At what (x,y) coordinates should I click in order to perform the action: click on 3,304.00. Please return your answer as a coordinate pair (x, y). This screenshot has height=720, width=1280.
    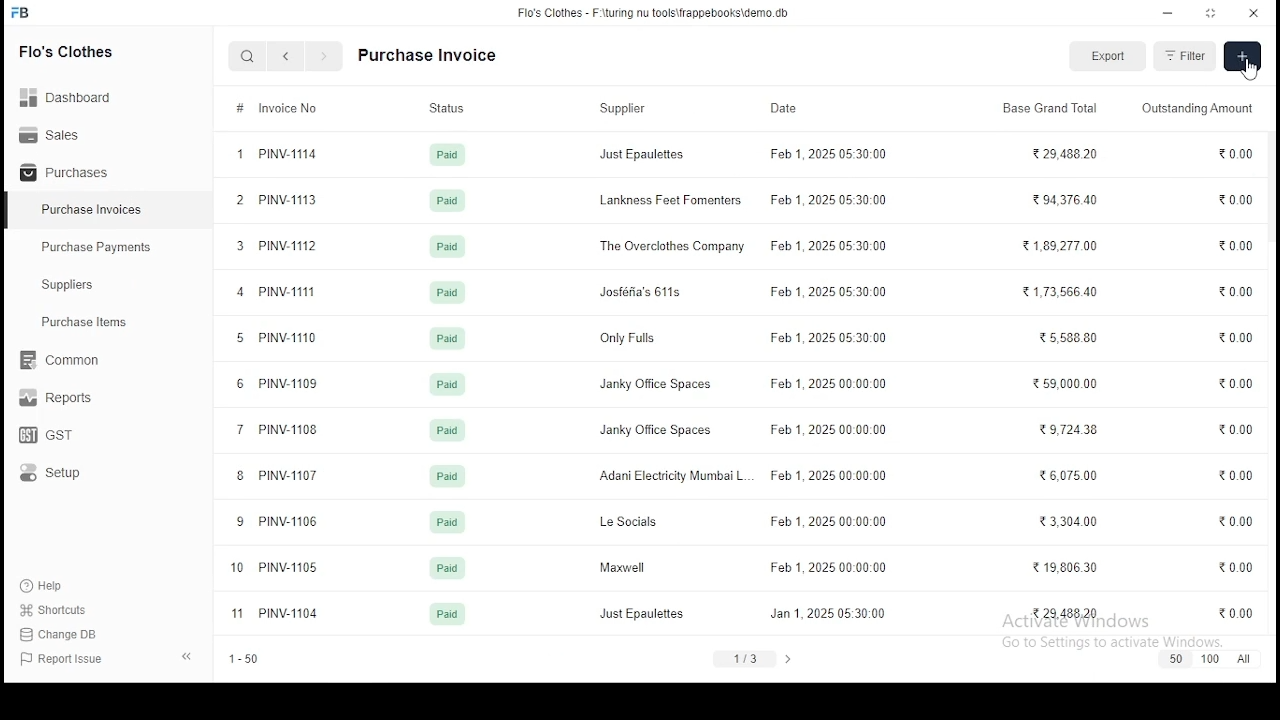
    Looking at the image, I should click on (1064, 521).